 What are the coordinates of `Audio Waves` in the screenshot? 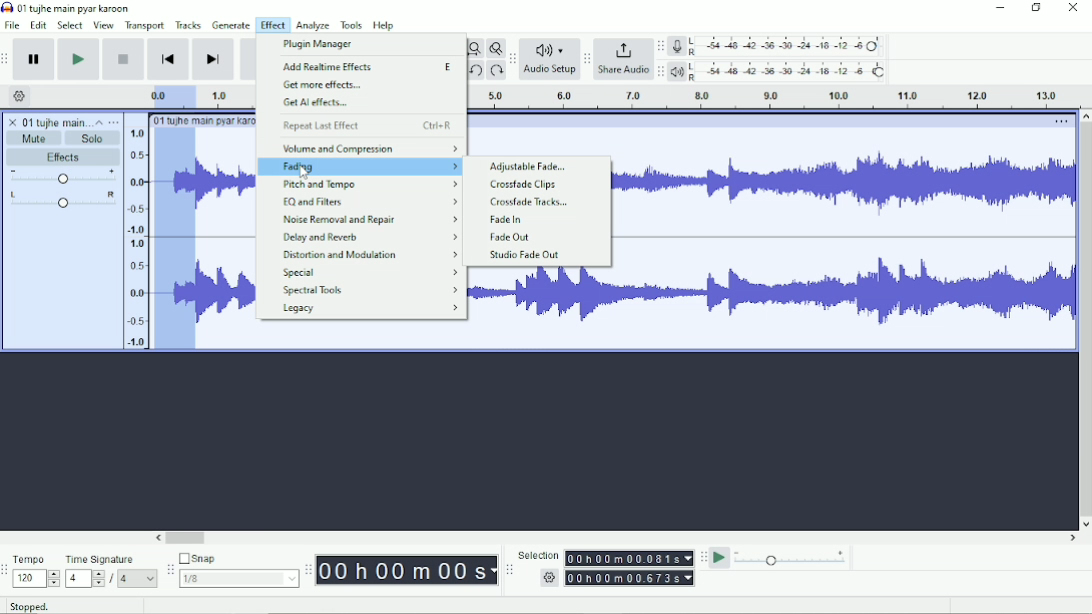 It's located at (842, 294).